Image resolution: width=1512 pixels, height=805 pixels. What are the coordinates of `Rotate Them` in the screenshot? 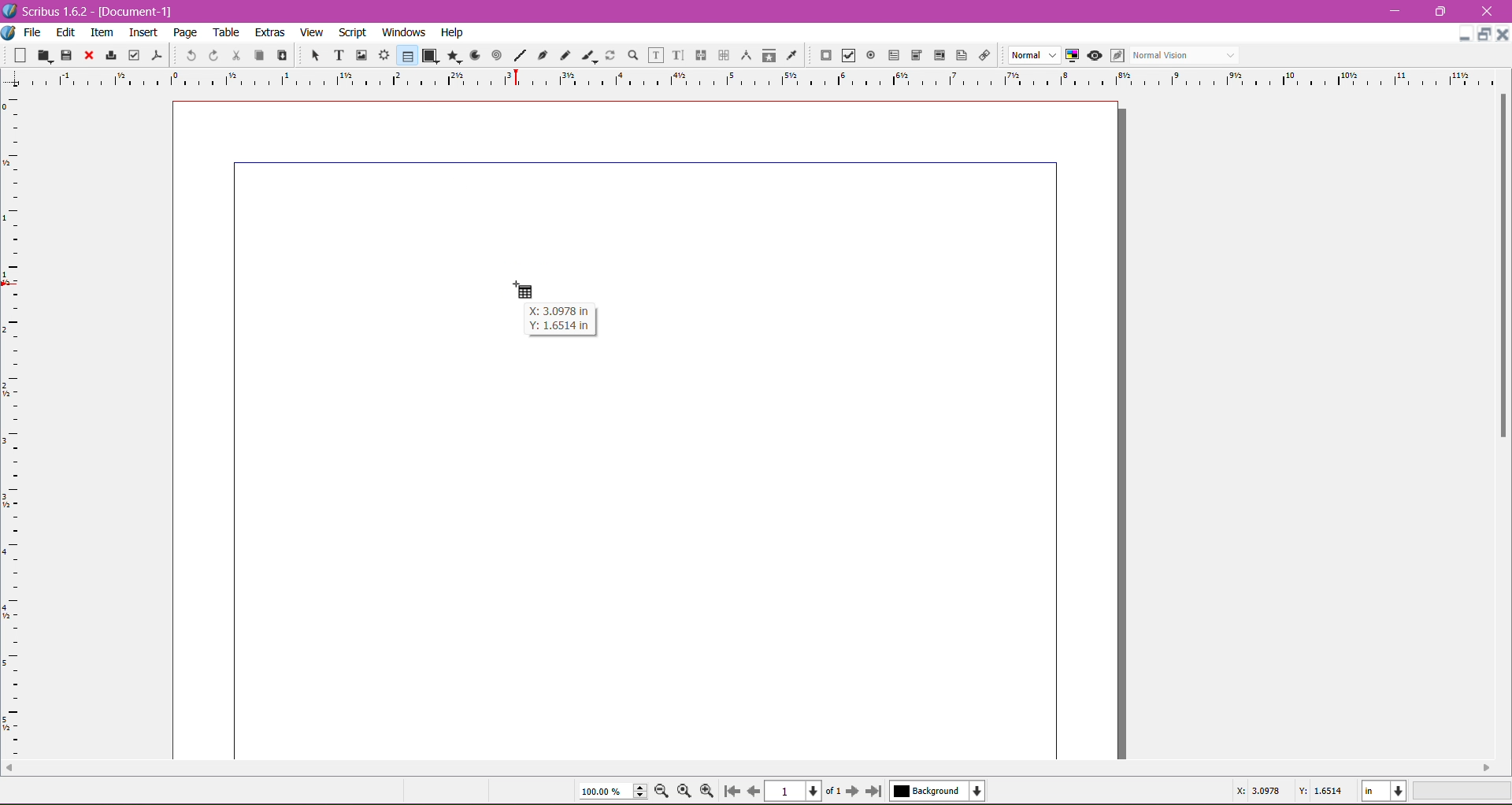 It's located at (609, 54).